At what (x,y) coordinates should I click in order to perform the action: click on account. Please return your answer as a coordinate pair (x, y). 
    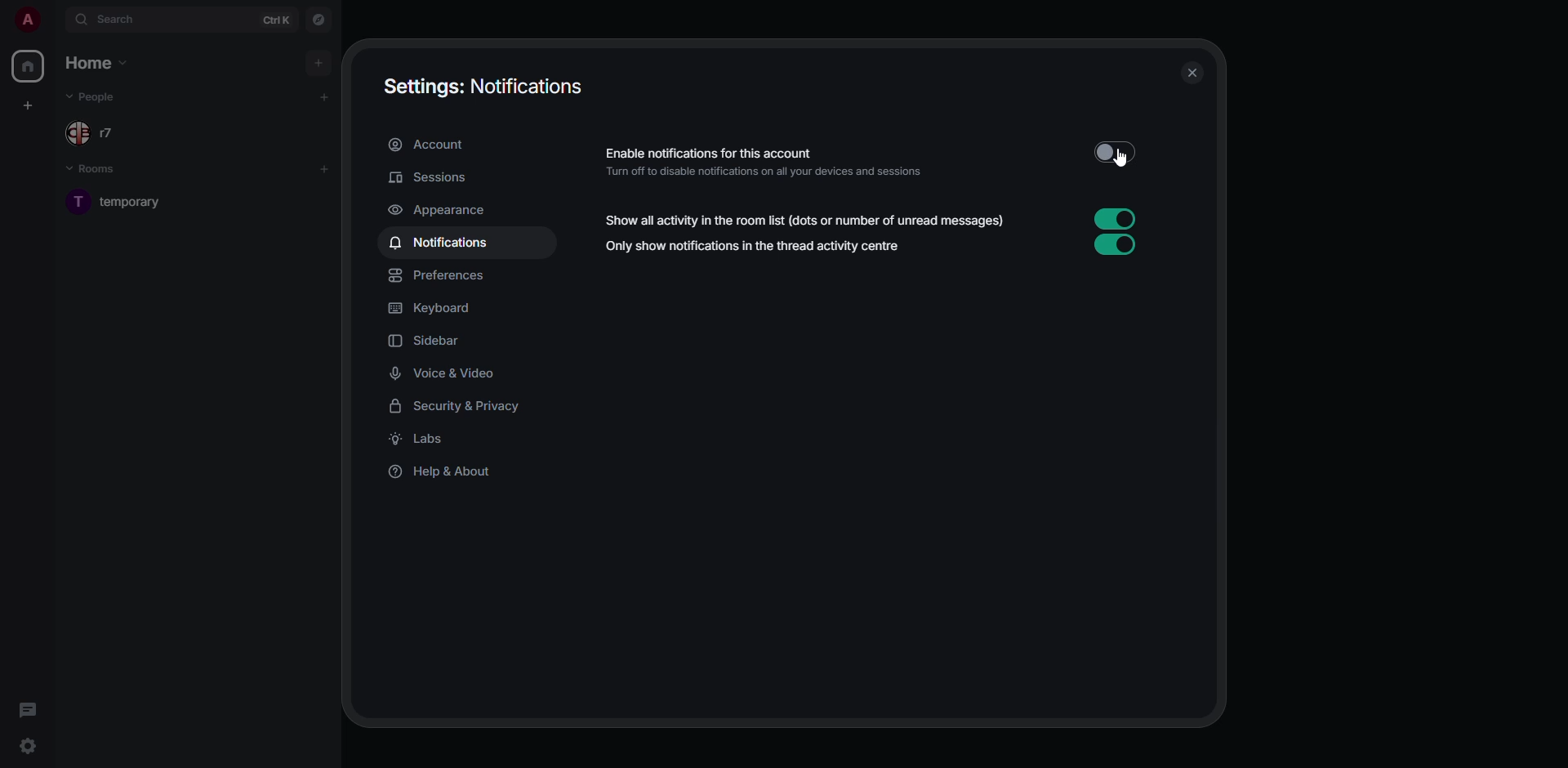
    Looking at the image, I should click on (430, 146).